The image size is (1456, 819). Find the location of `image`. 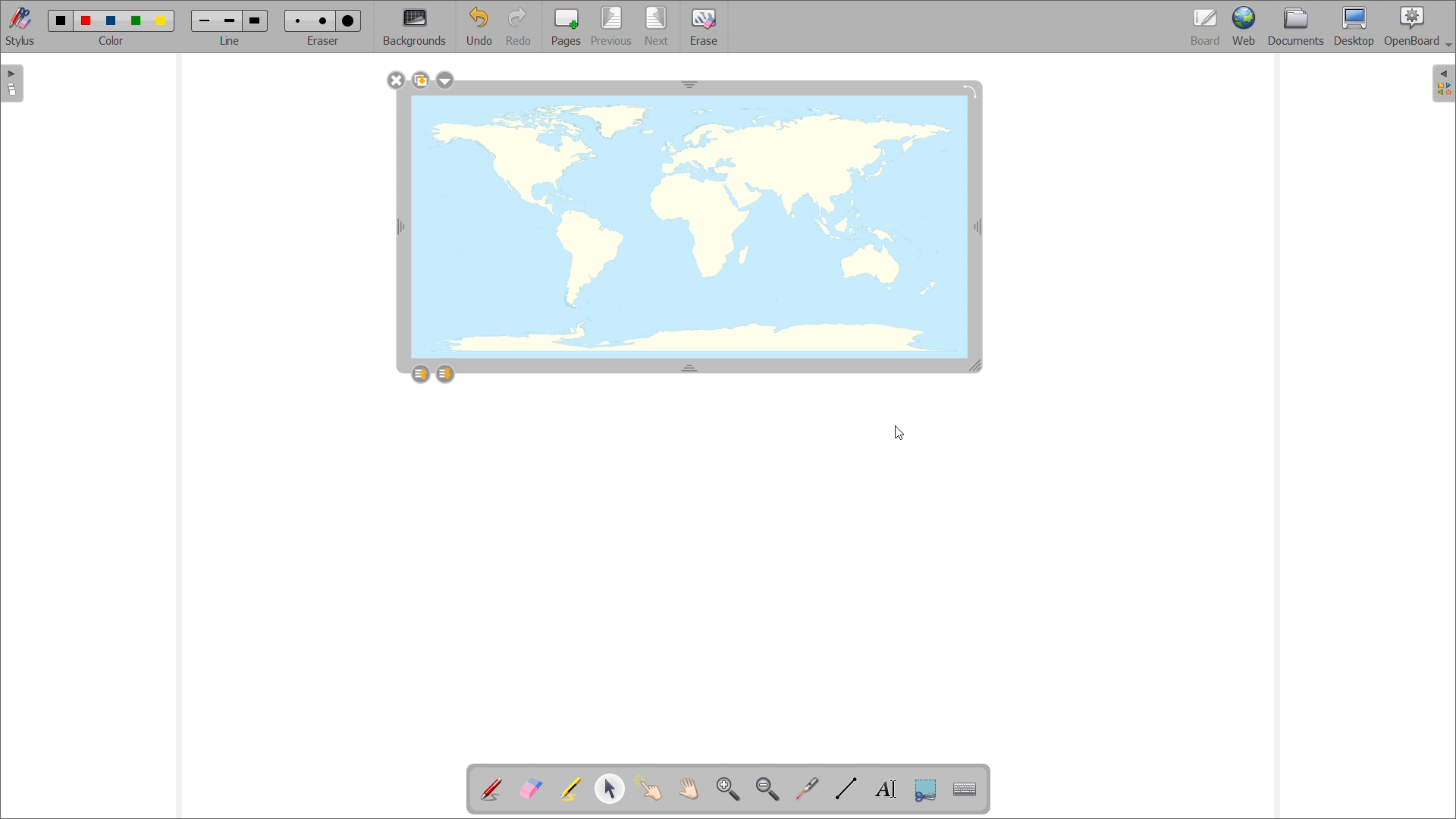

image is located at coordinates (689, 229).